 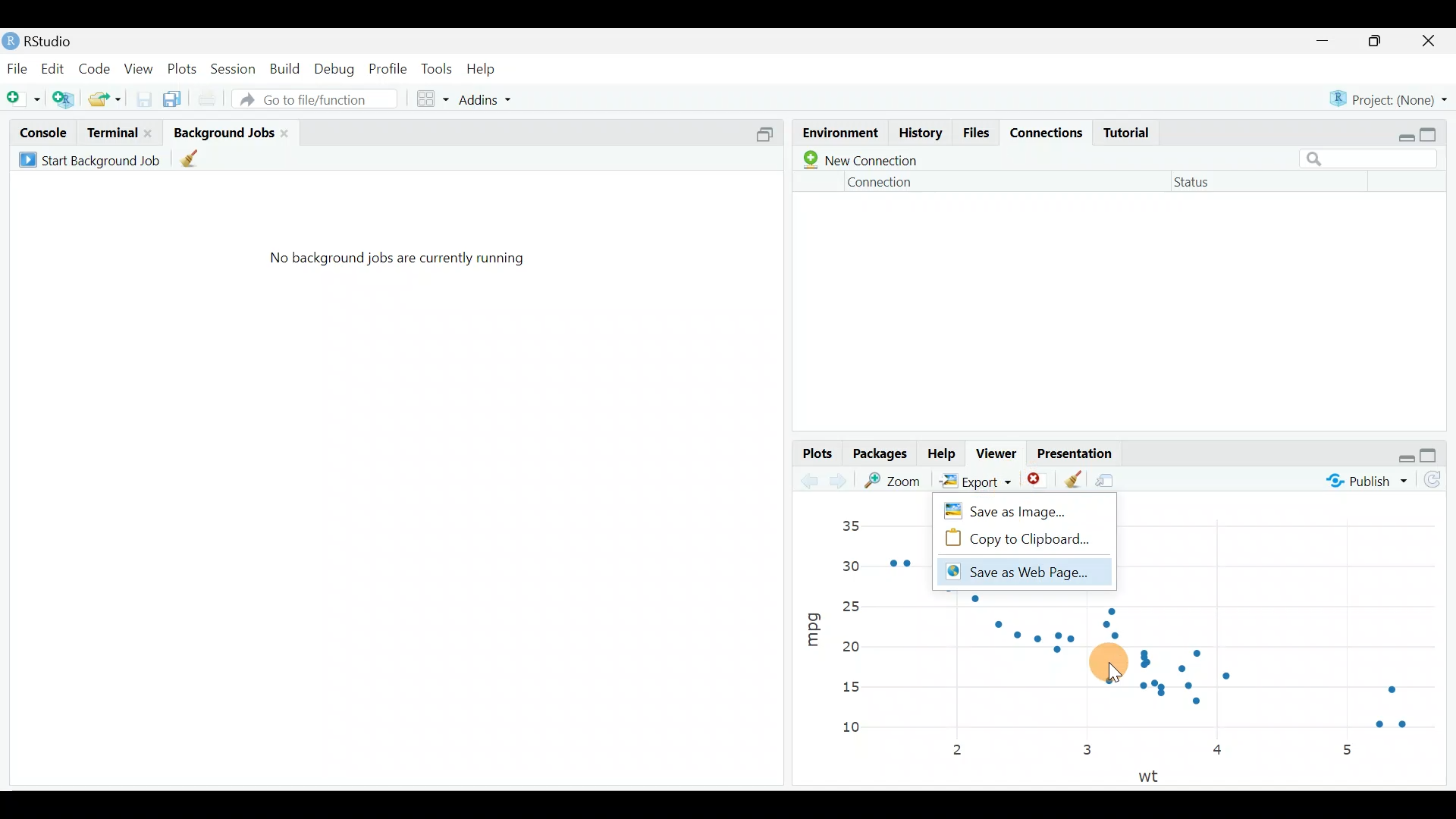 I want to click on Maximize, so click(x=1439, y=135).